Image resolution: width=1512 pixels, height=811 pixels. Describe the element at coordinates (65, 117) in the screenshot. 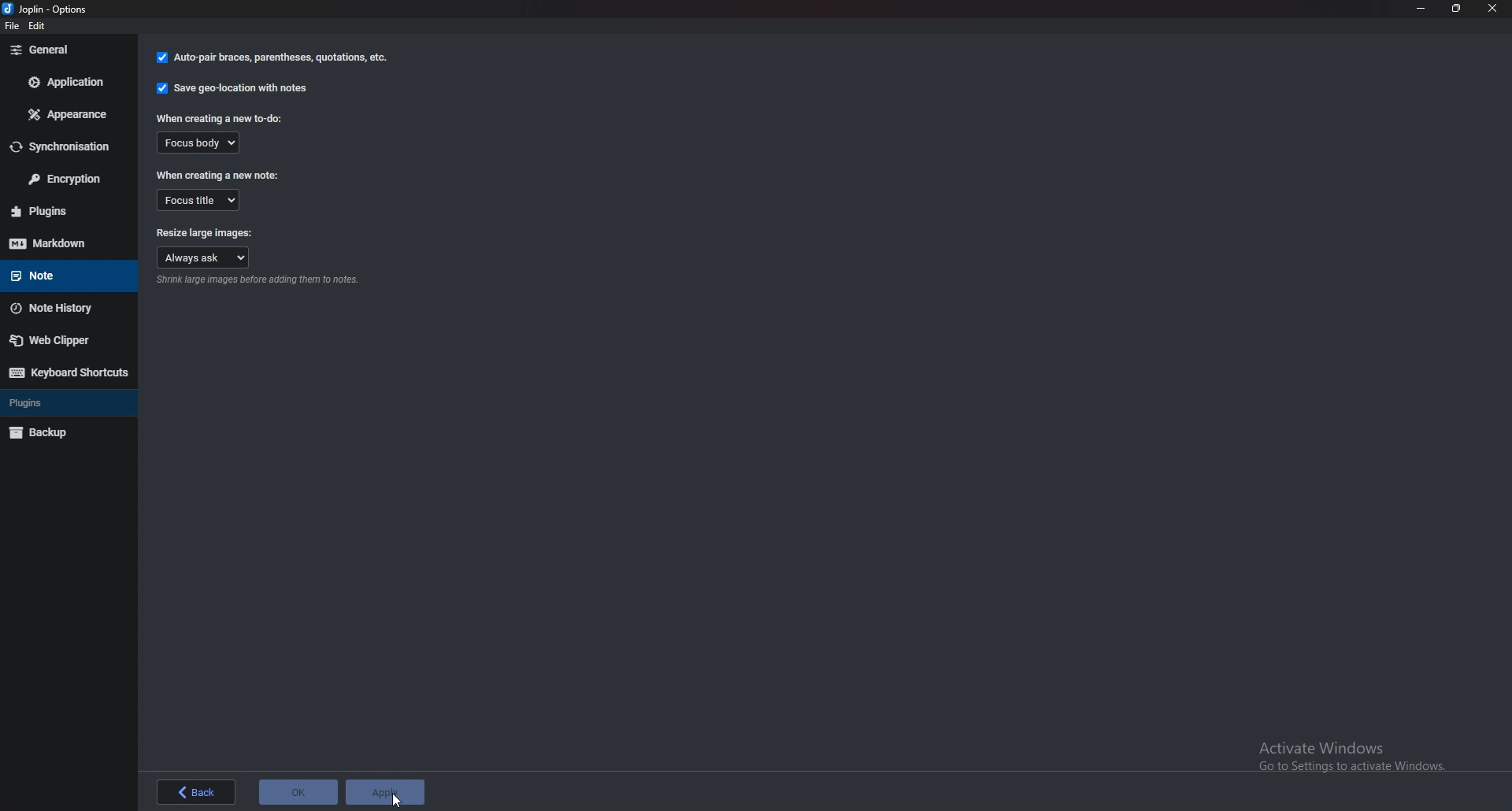

I see `Appearance` at that location.